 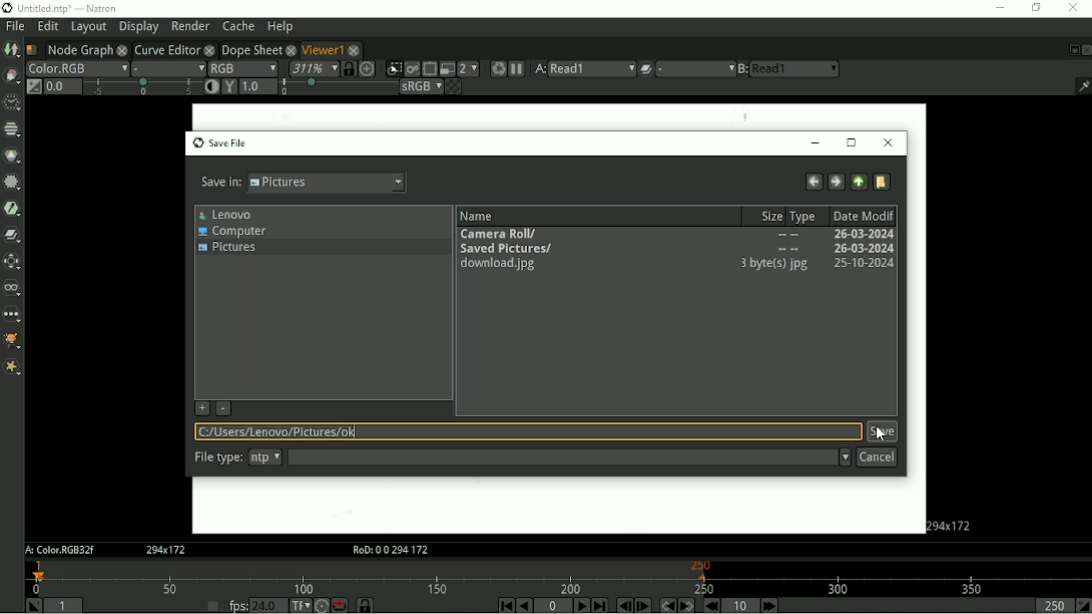 I want to click on Minimize, so click(x=1000, y=8).